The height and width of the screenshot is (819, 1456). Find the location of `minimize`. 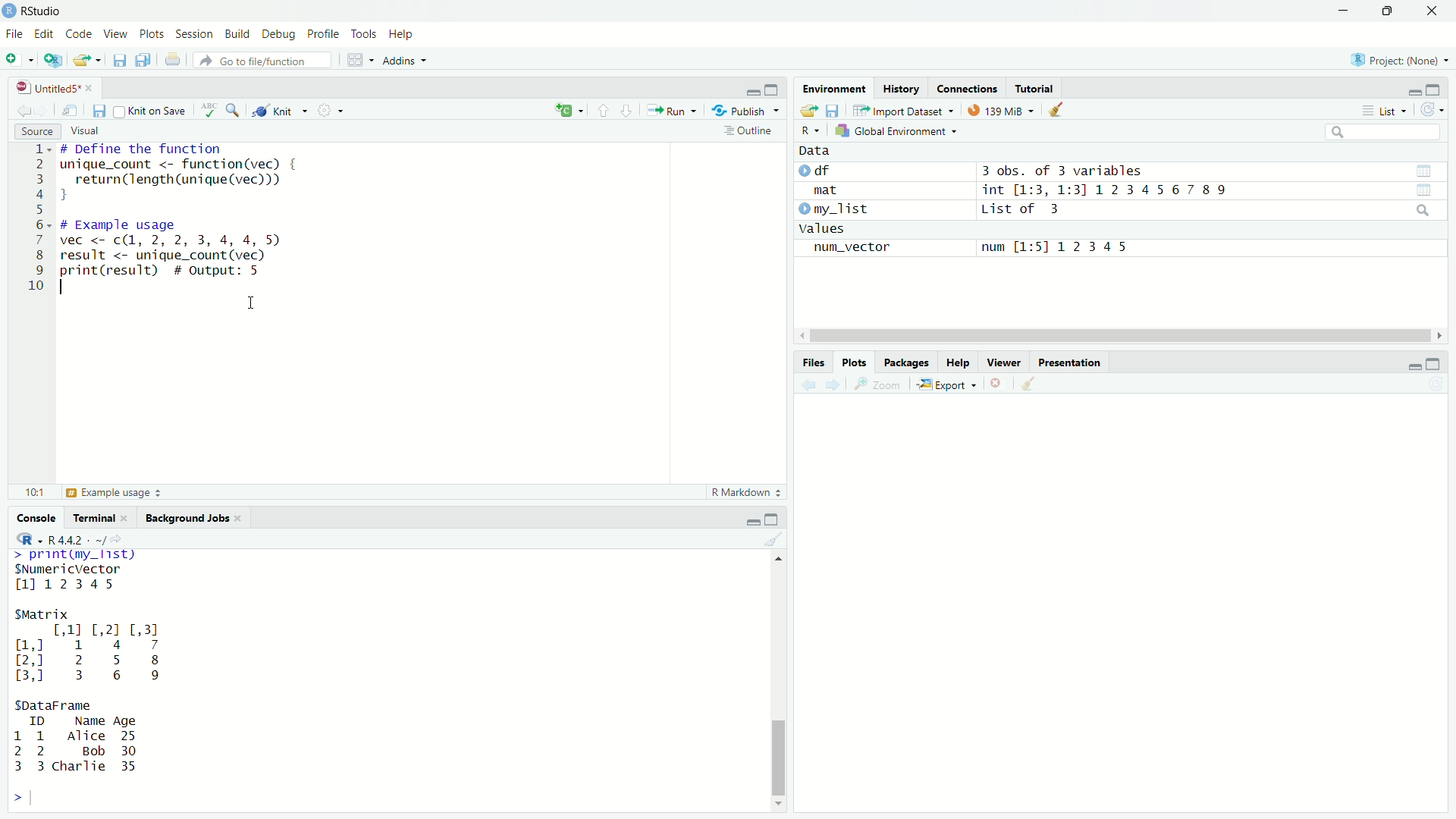

minimize is located at coordinates (1413, 367).